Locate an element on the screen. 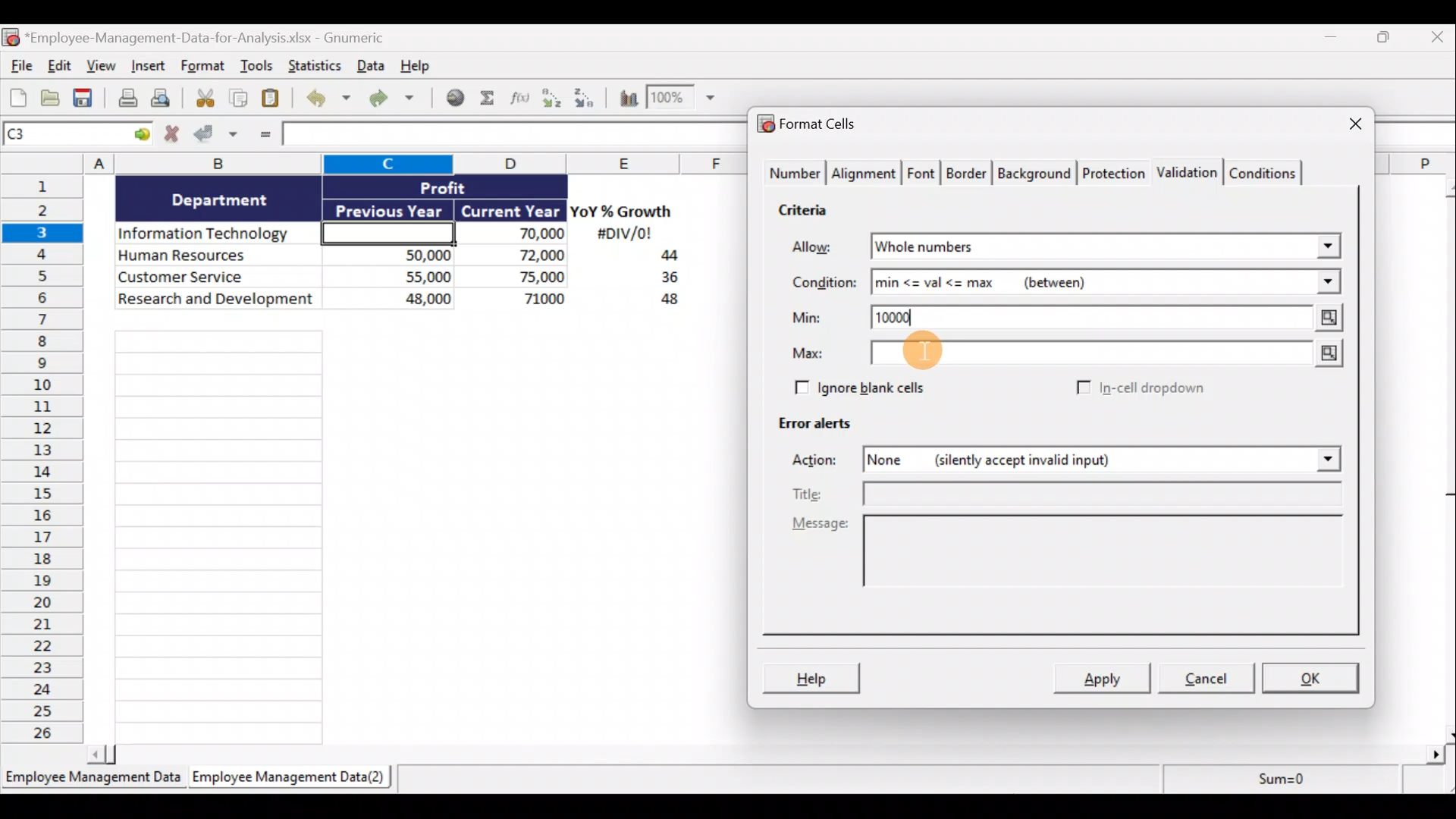 This screenshot has height=819, width=1456. Data is located at coordinates (369, 65).